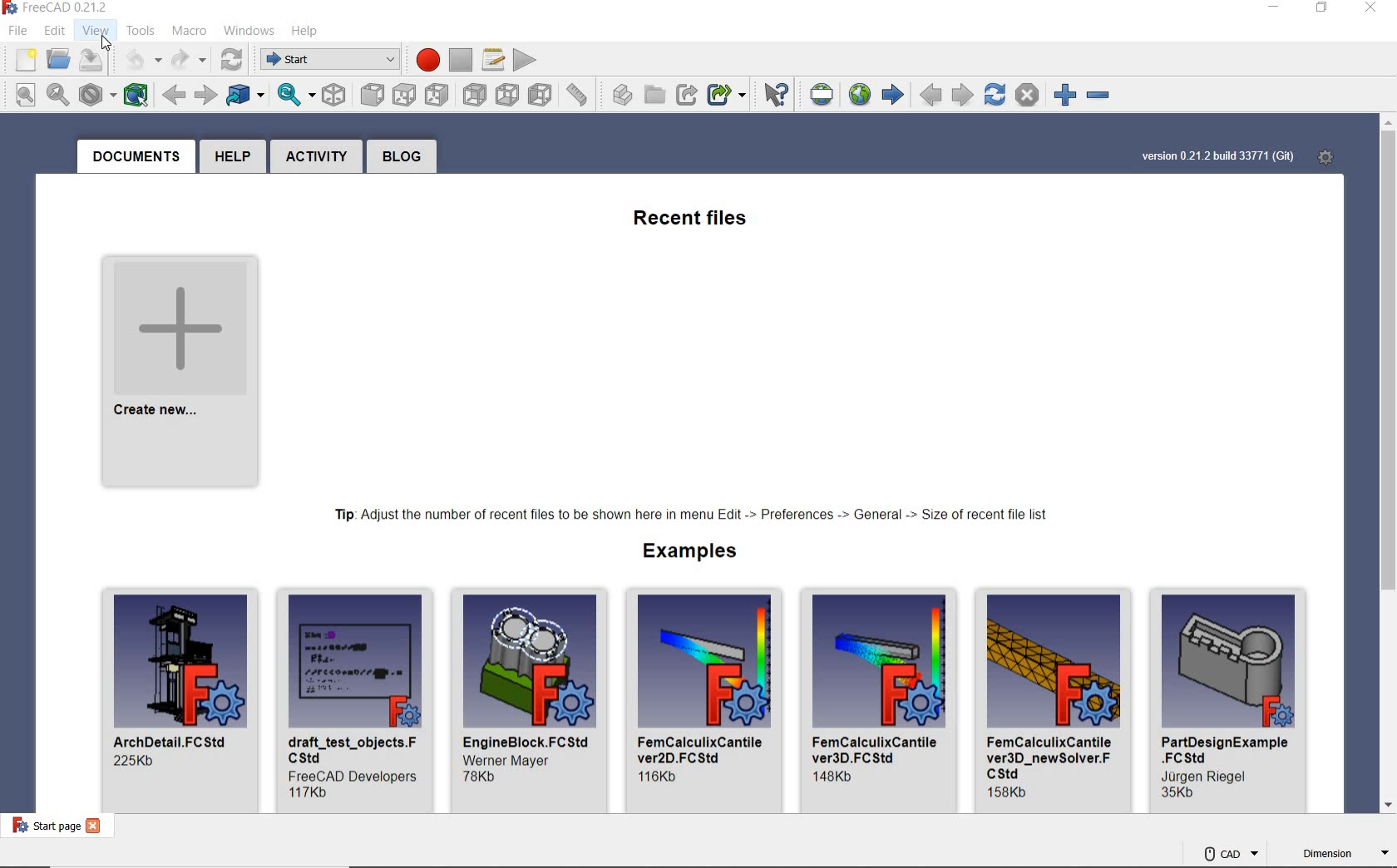 The height and width of the screenshot is (868, 1397). What do you see at coordinates (618, 96) in the screenshot?
I see `create part` at bounding box center [618, 96].